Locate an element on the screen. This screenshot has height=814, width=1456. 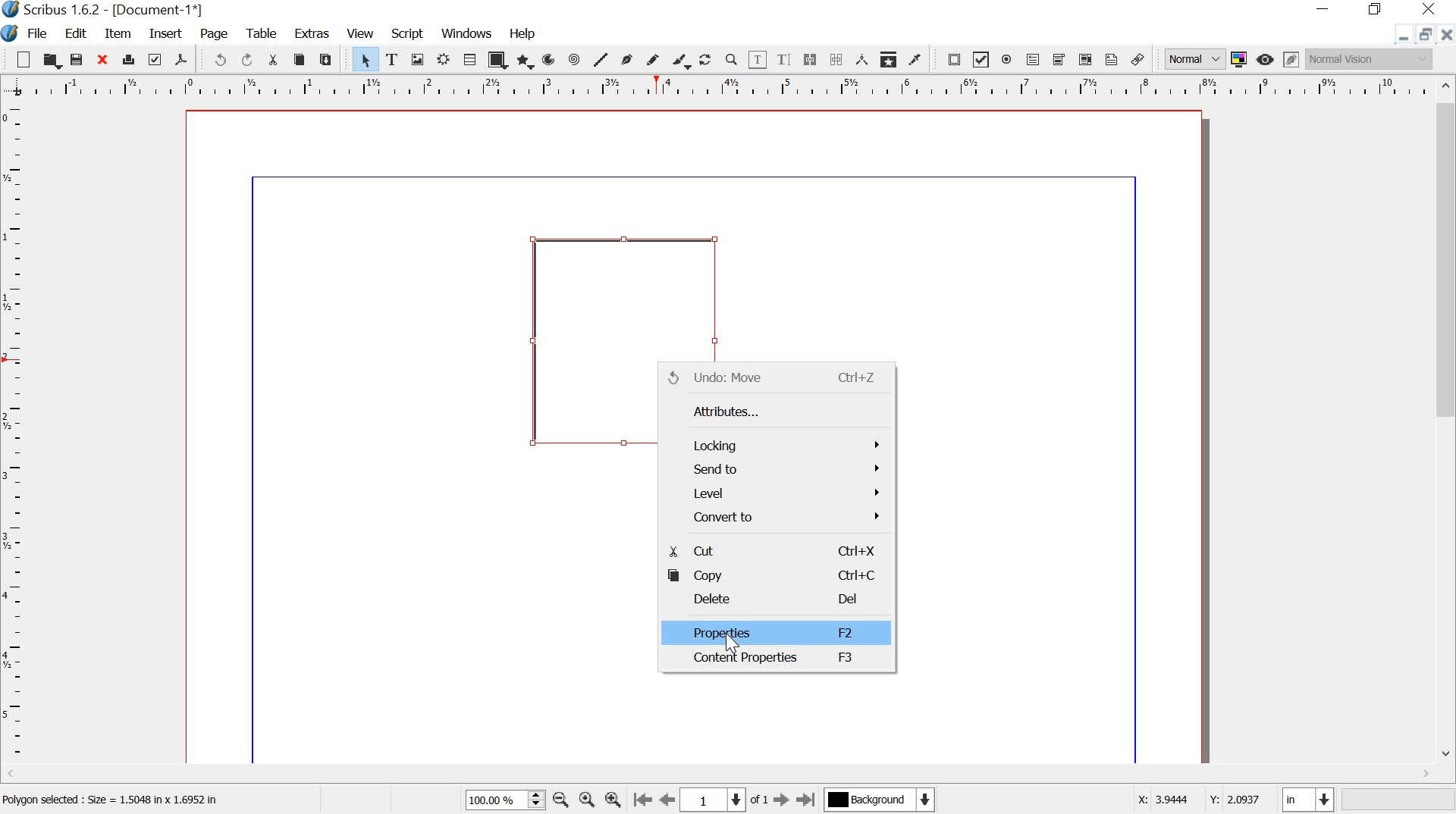
text frame is located at coordinates (396, 60).